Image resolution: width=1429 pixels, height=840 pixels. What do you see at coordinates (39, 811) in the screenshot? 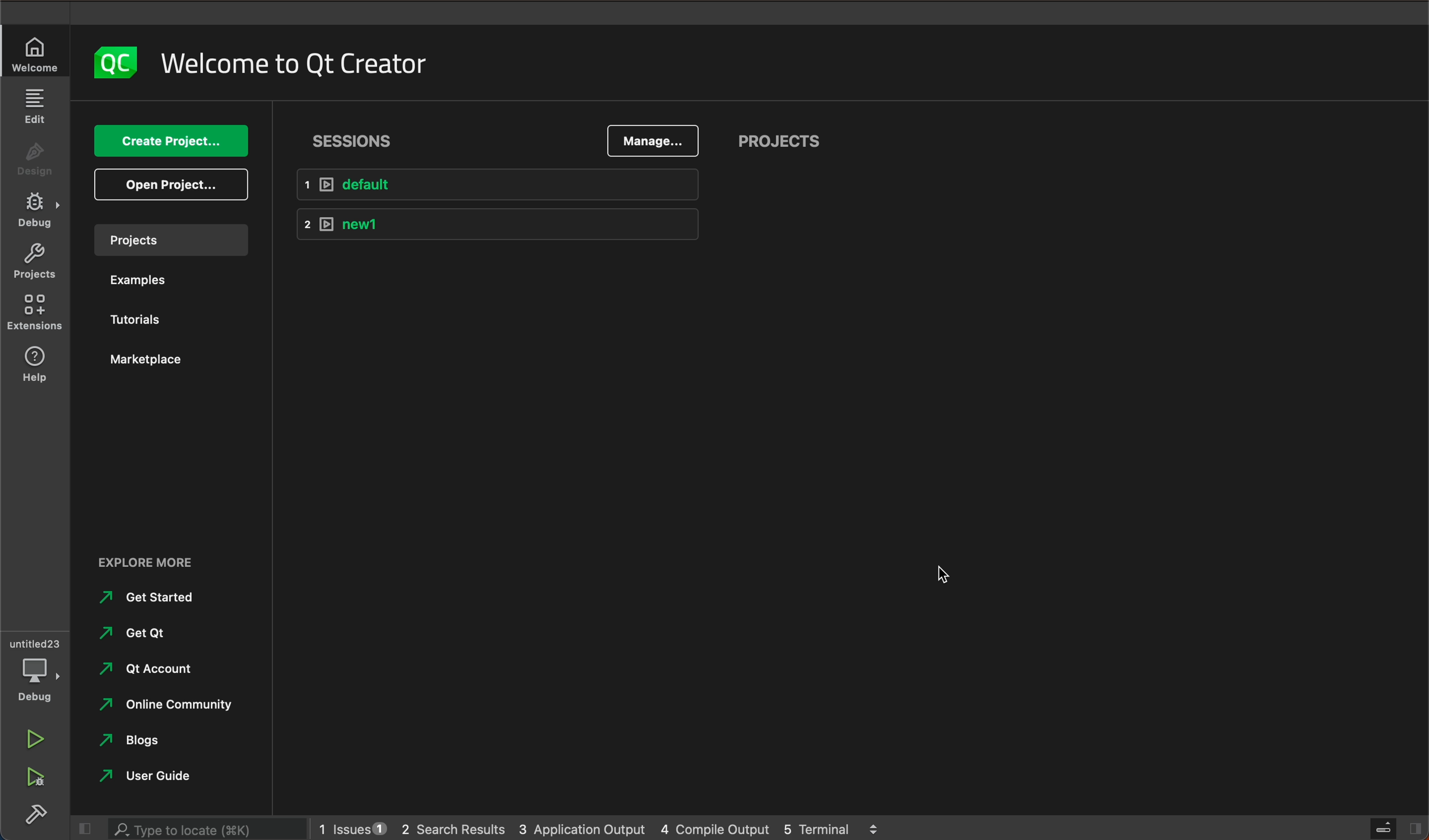
I see `build` at bounding box center [39, 811].